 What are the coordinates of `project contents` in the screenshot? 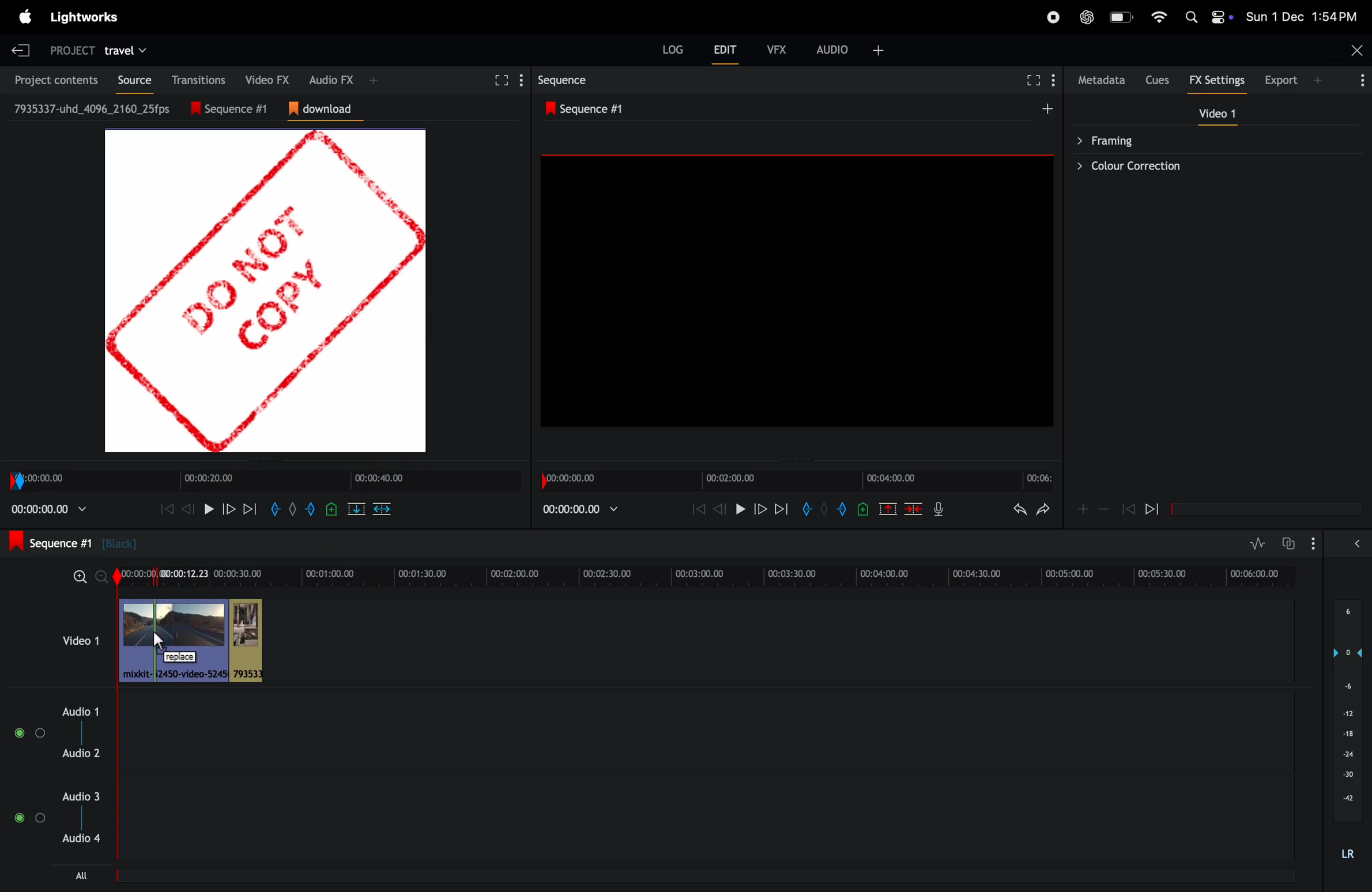 It's located at (52, 79).